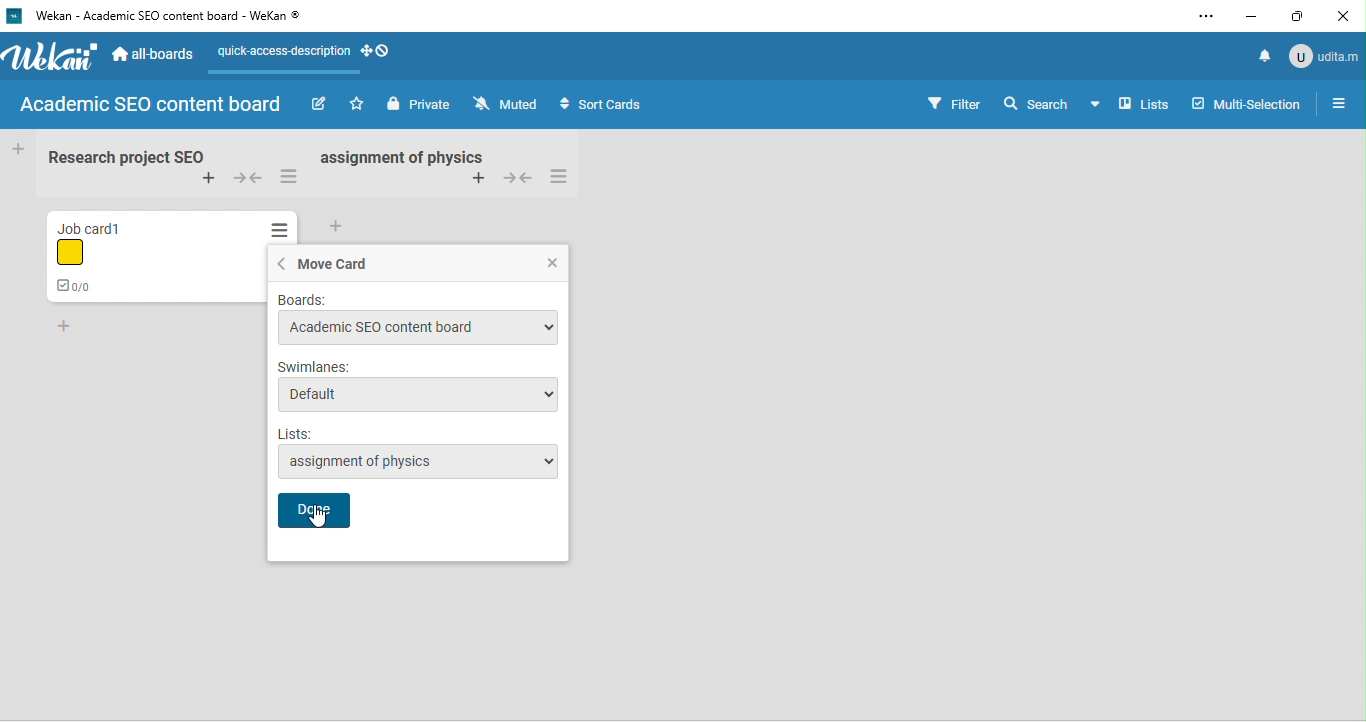 This screenshot has height=722, width=1366. Describe the element at coordinates (522, 180) in the screenshot. I see `collapse` at that location.